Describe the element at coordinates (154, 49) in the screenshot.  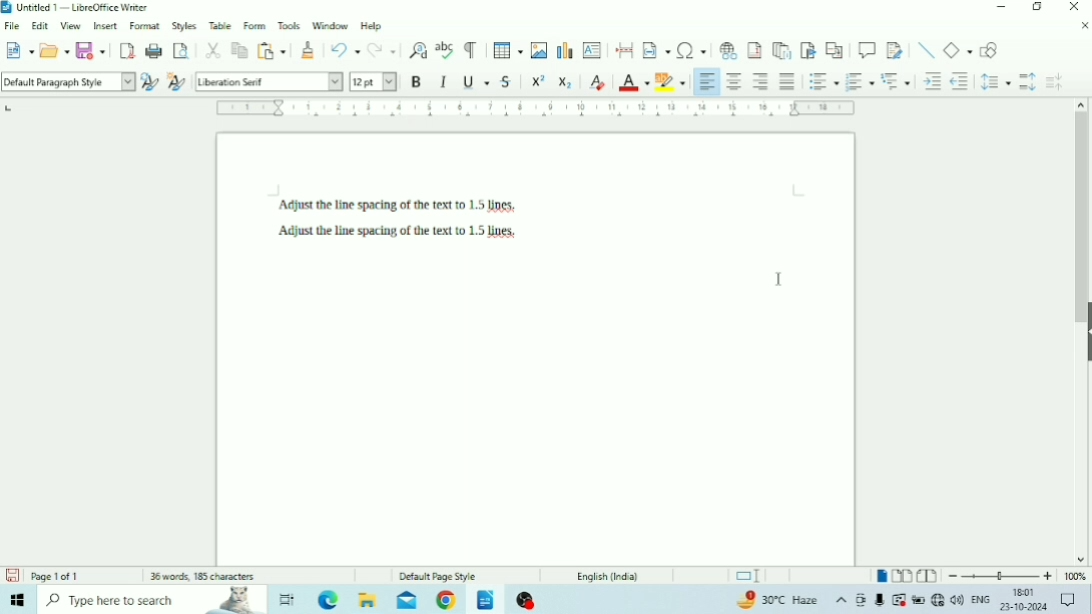
I see `Print` at that location.